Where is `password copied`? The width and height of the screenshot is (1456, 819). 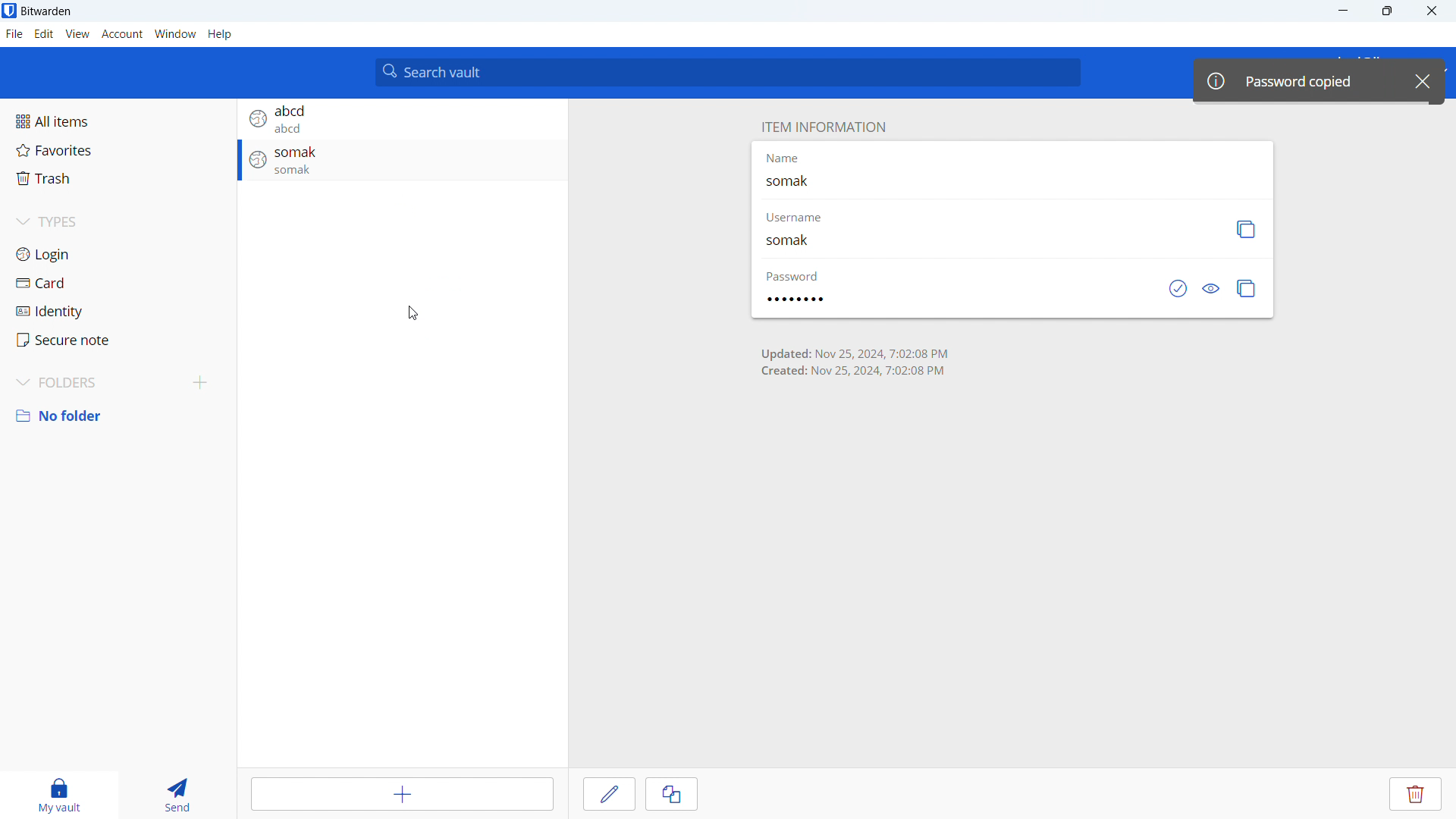
password copied is located at coordinates (1297, 80).